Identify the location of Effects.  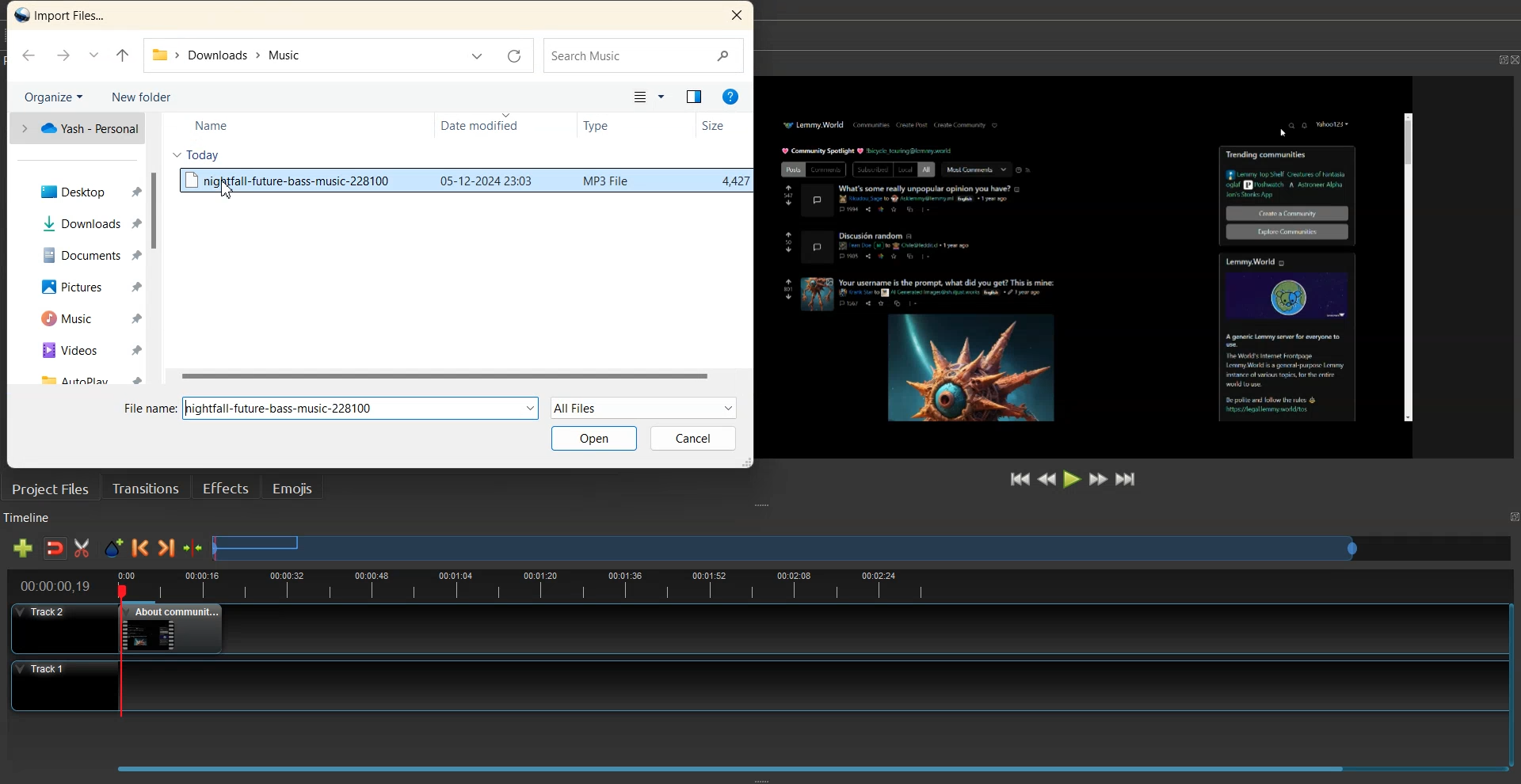
(225, 486).